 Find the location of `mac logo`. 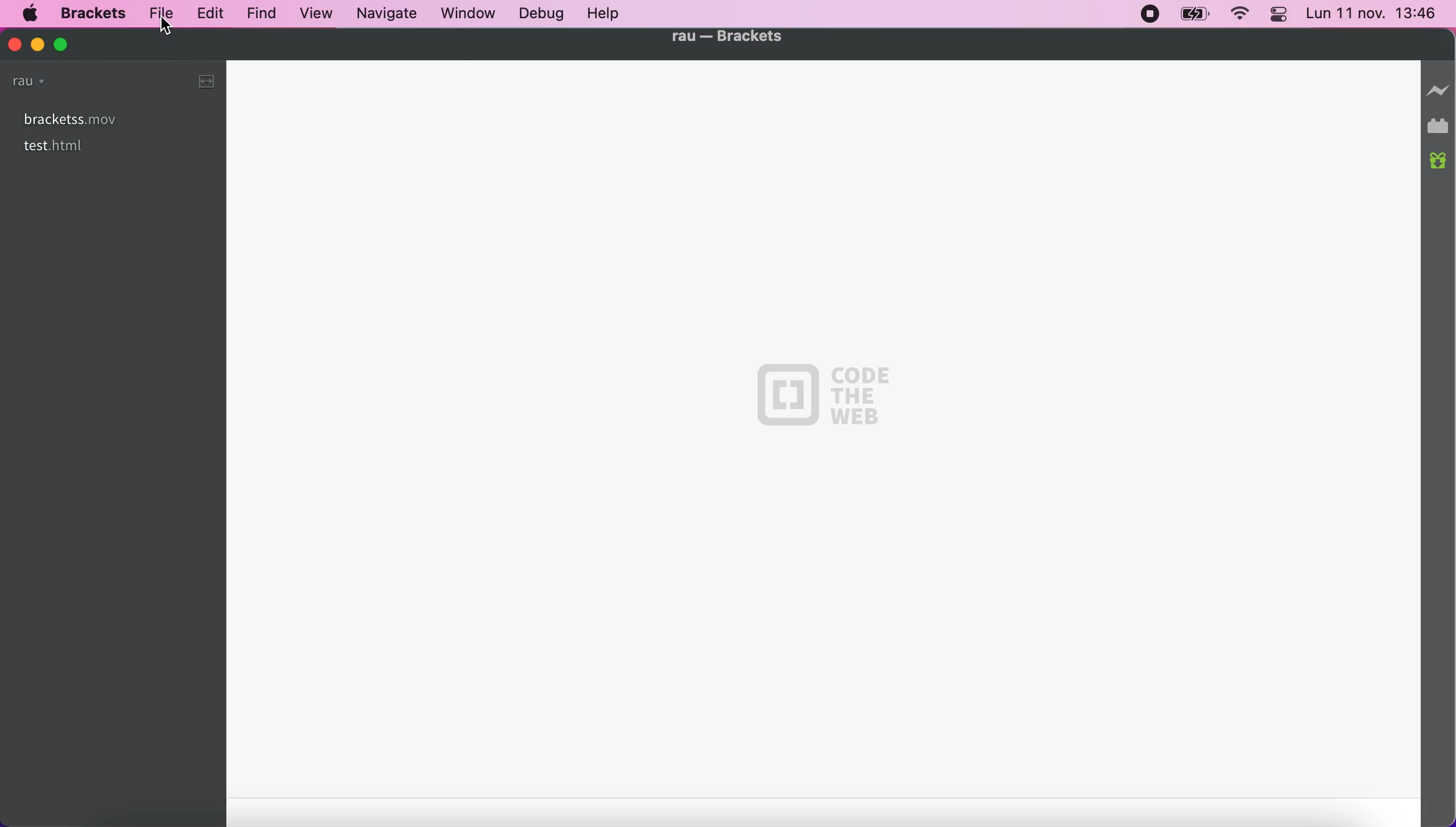

mac logo is located at coordinates (31, 15).